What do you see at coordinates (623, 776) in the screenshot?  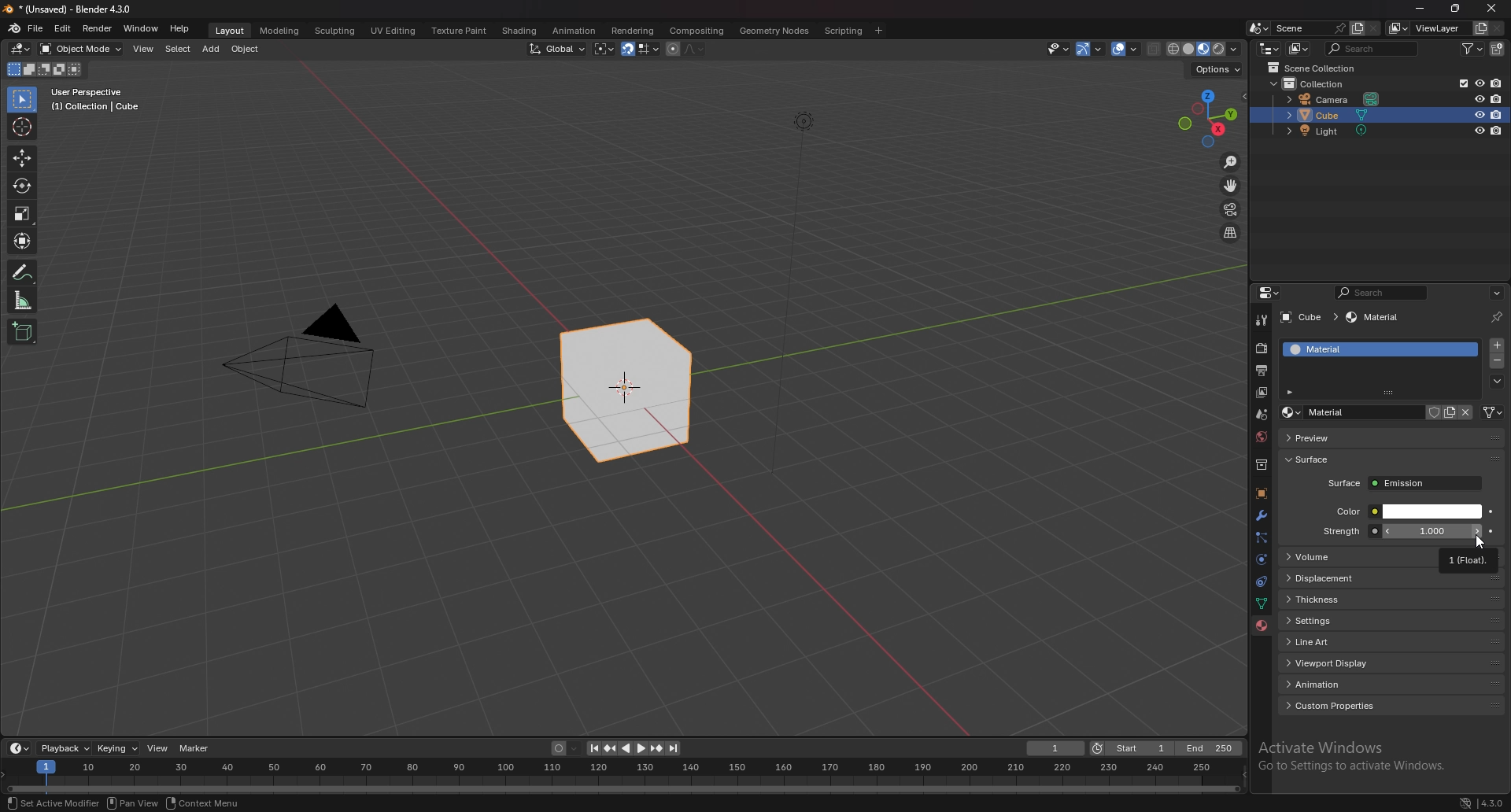 I see `seek` at bounding box center [623, 776].